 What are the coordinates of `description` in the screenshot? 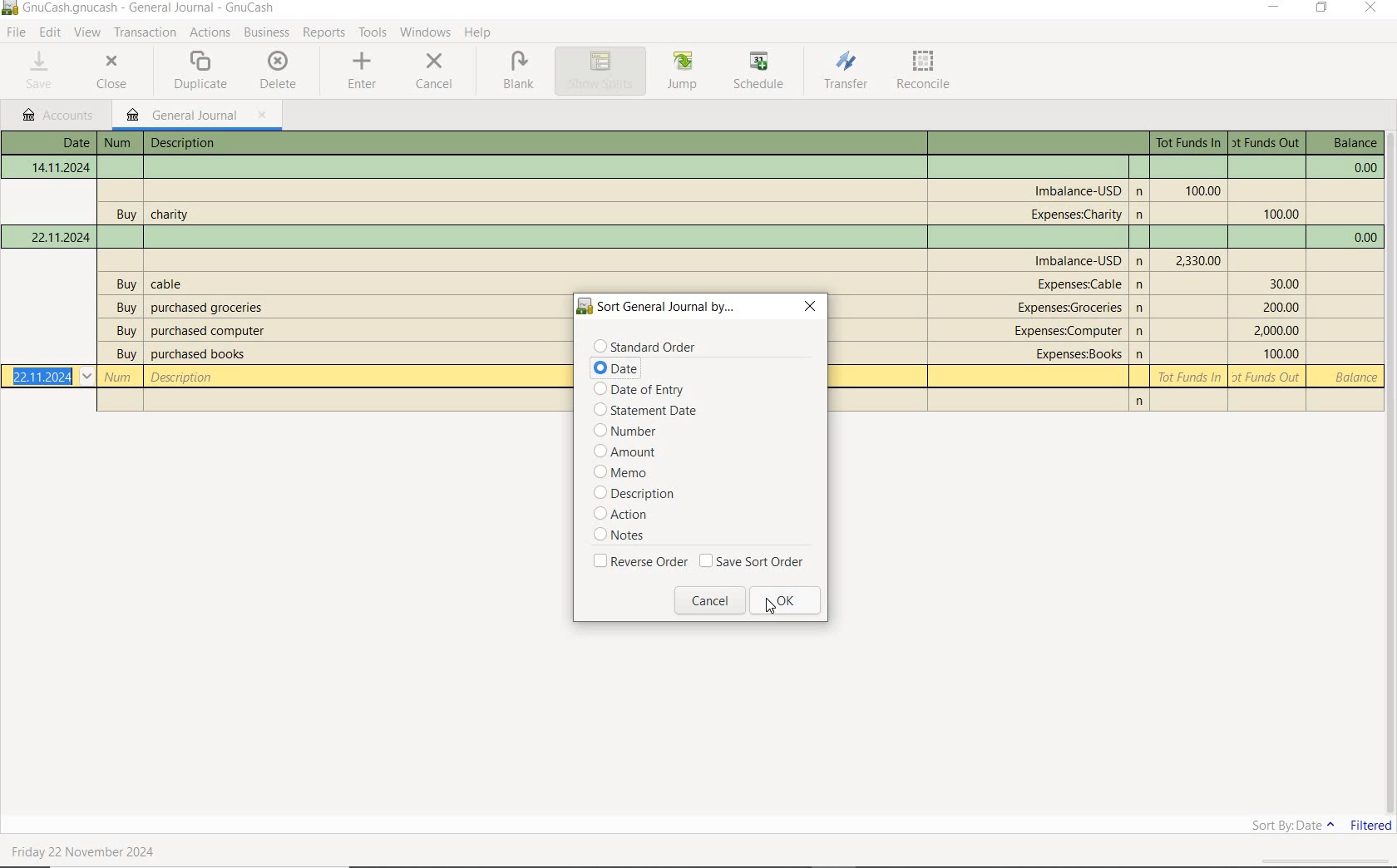 It's located at (643, 494).